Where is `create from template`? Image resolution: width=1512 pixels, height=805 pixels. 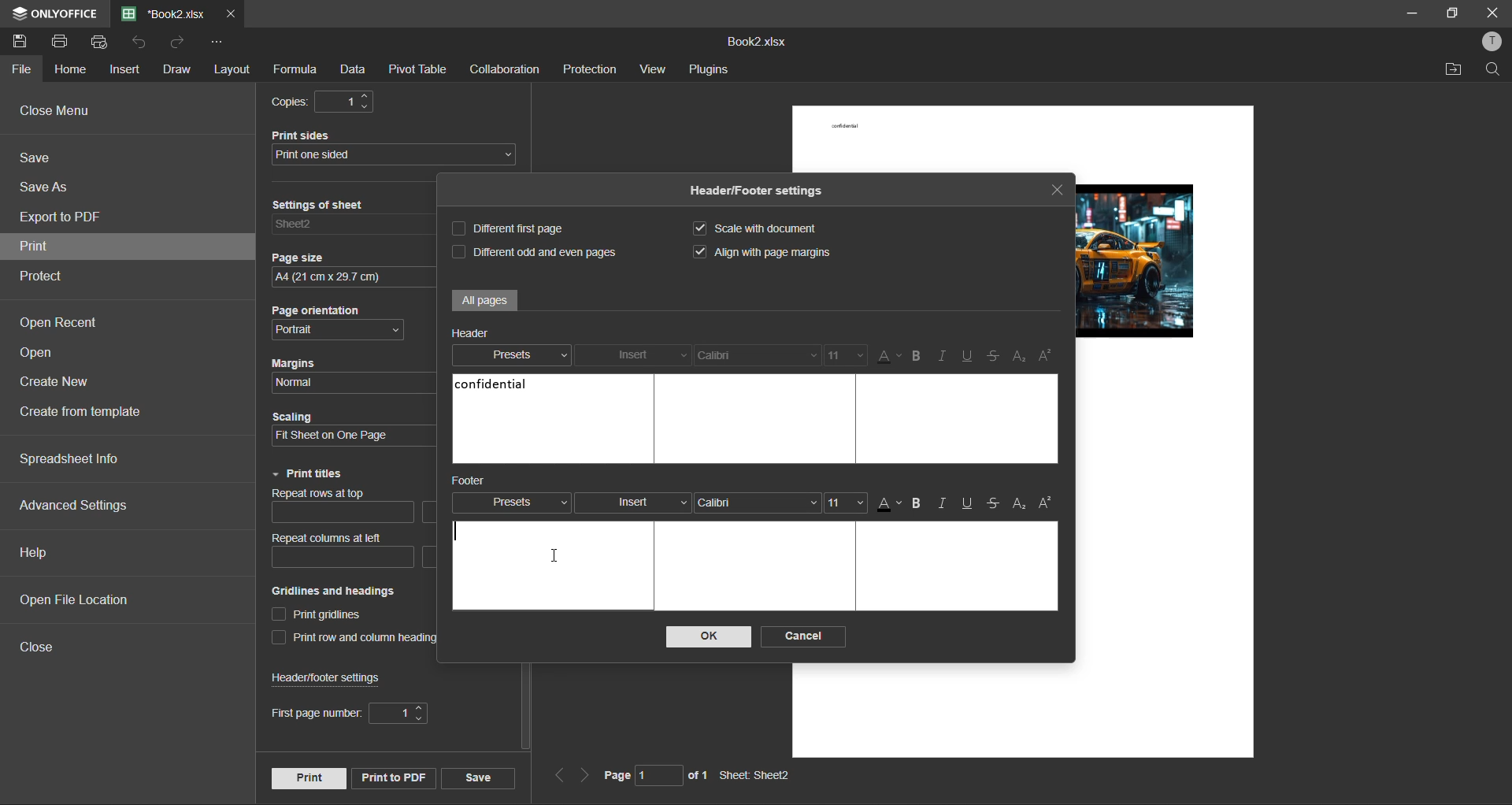 create from template is located at coordinates (90, 412).